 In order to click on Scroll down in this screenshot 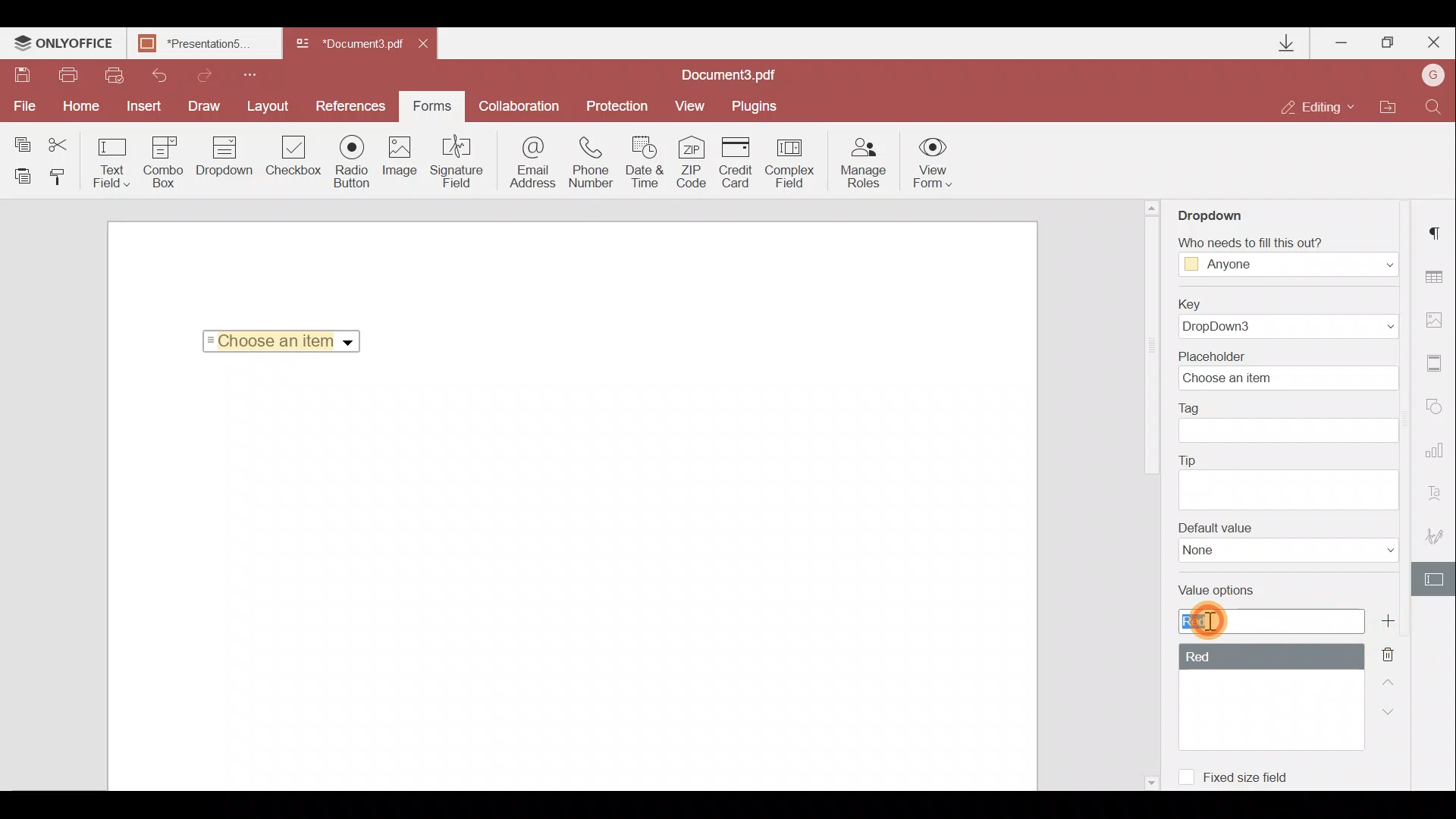, I will do `click(1150, 780)`.